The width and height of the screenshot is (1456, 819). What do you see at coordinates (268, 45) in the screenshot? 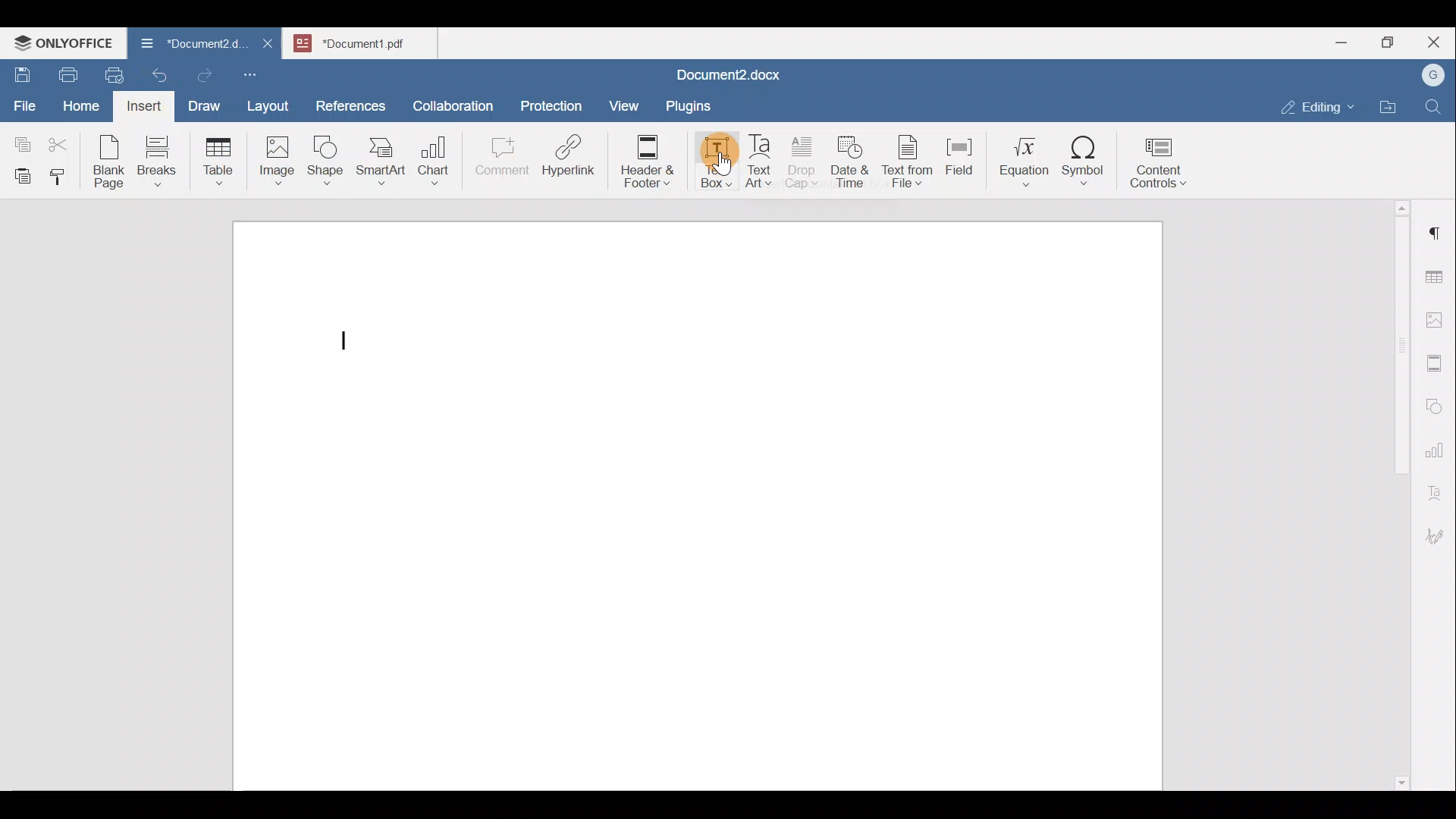
I see `Close document` at bounding box center [268, 45].